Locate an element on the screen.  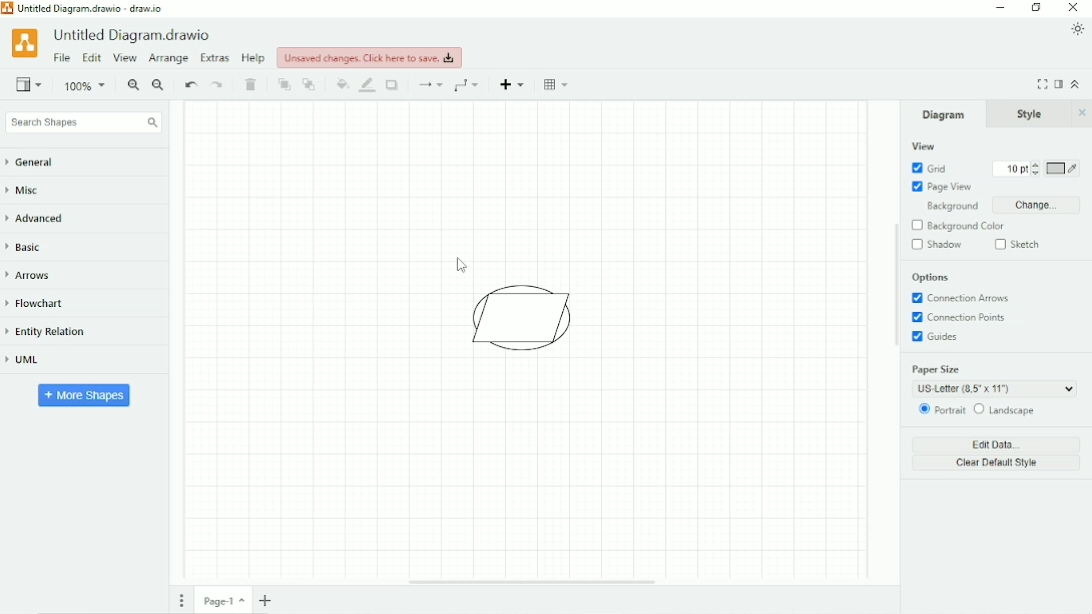
Collapse/Expand is located at coordinates (1076, 83).